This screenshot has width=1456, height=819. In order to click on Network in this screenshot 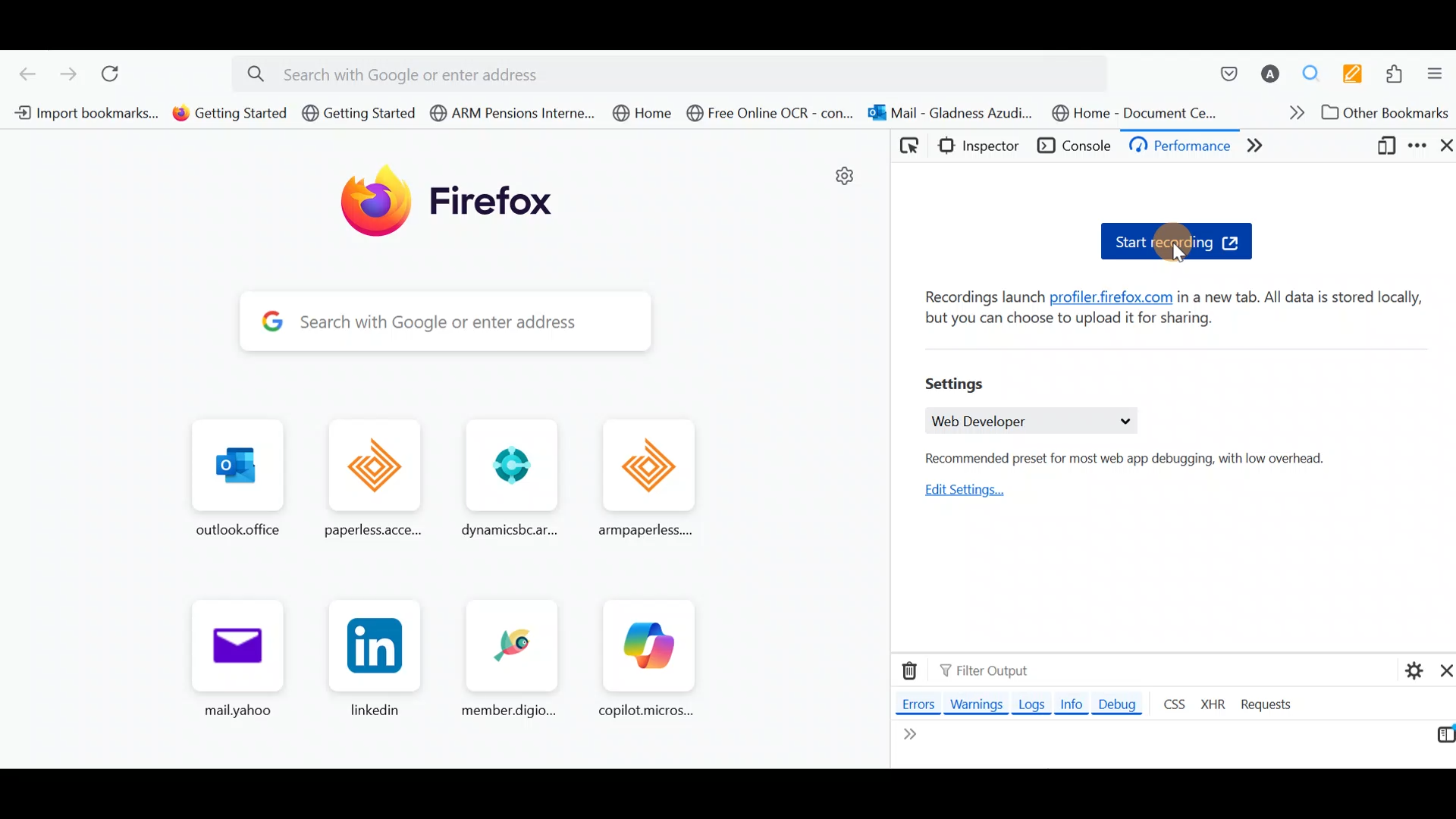, I will do `click(1269, 148)`.